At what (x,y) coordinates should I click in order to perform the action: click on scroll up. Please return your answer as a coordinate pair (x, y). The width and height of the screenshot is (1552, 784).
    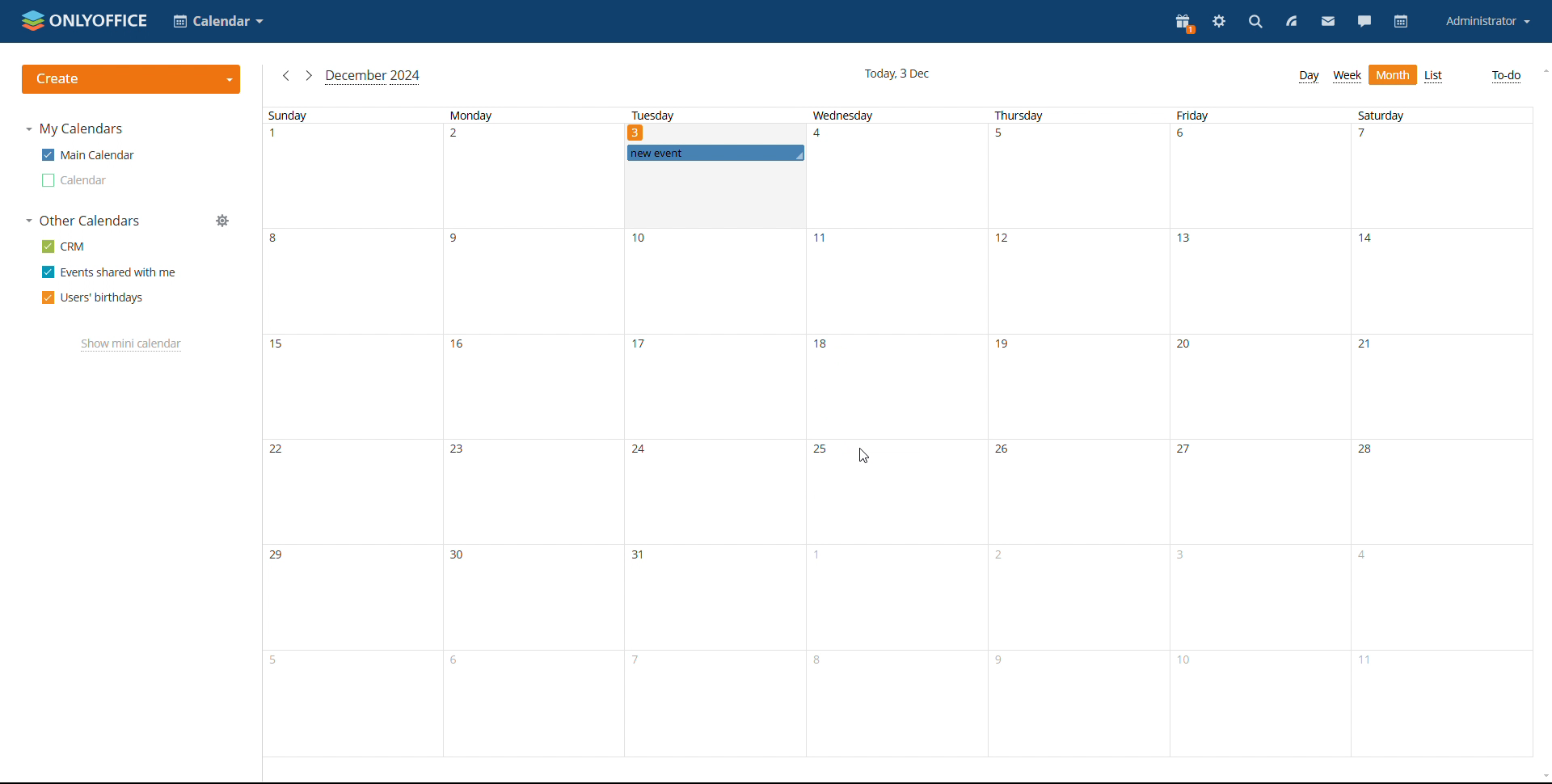
    Looking at the image, I should click on (1542, 70).